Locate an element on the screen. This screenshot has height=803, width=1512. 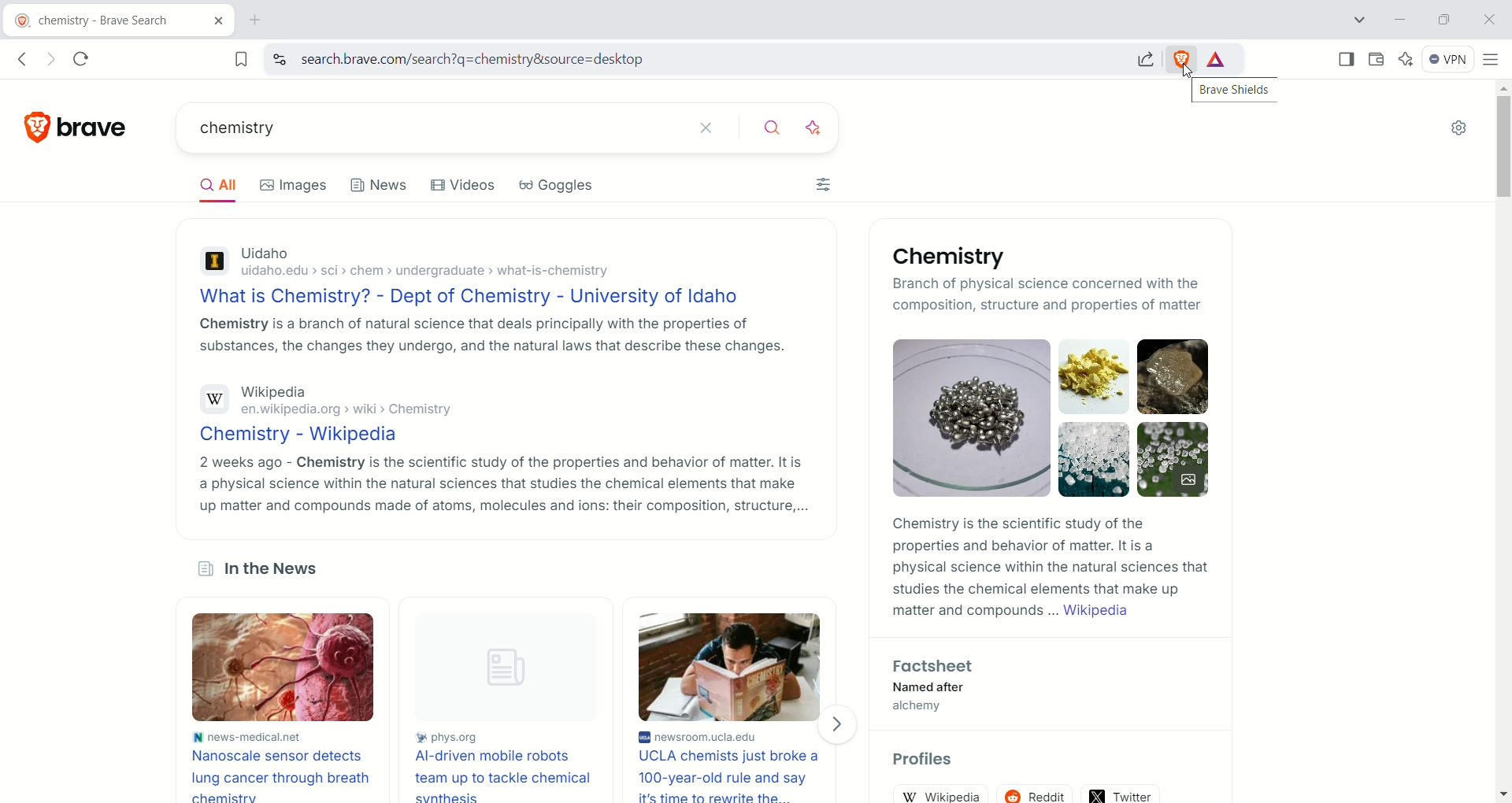
Named after is located at coordinates (930, 688).